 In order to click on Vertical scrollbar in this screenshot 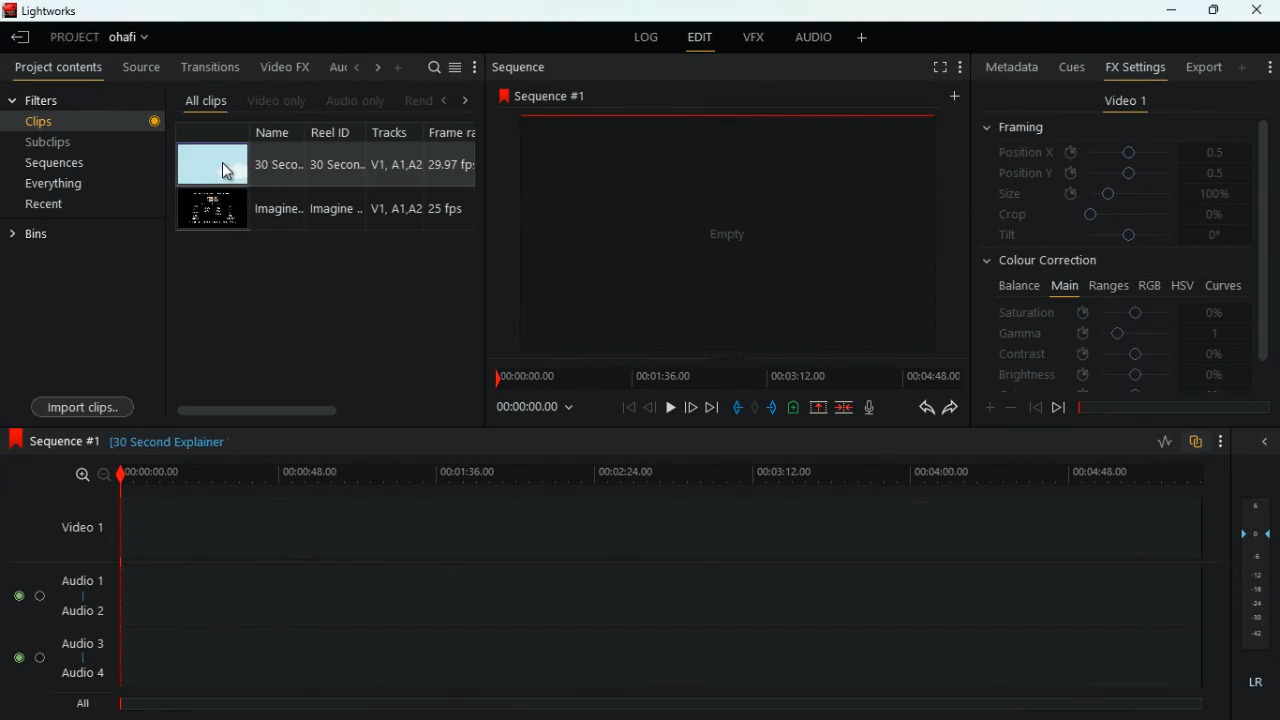, I will do `click(1262, 241)`.